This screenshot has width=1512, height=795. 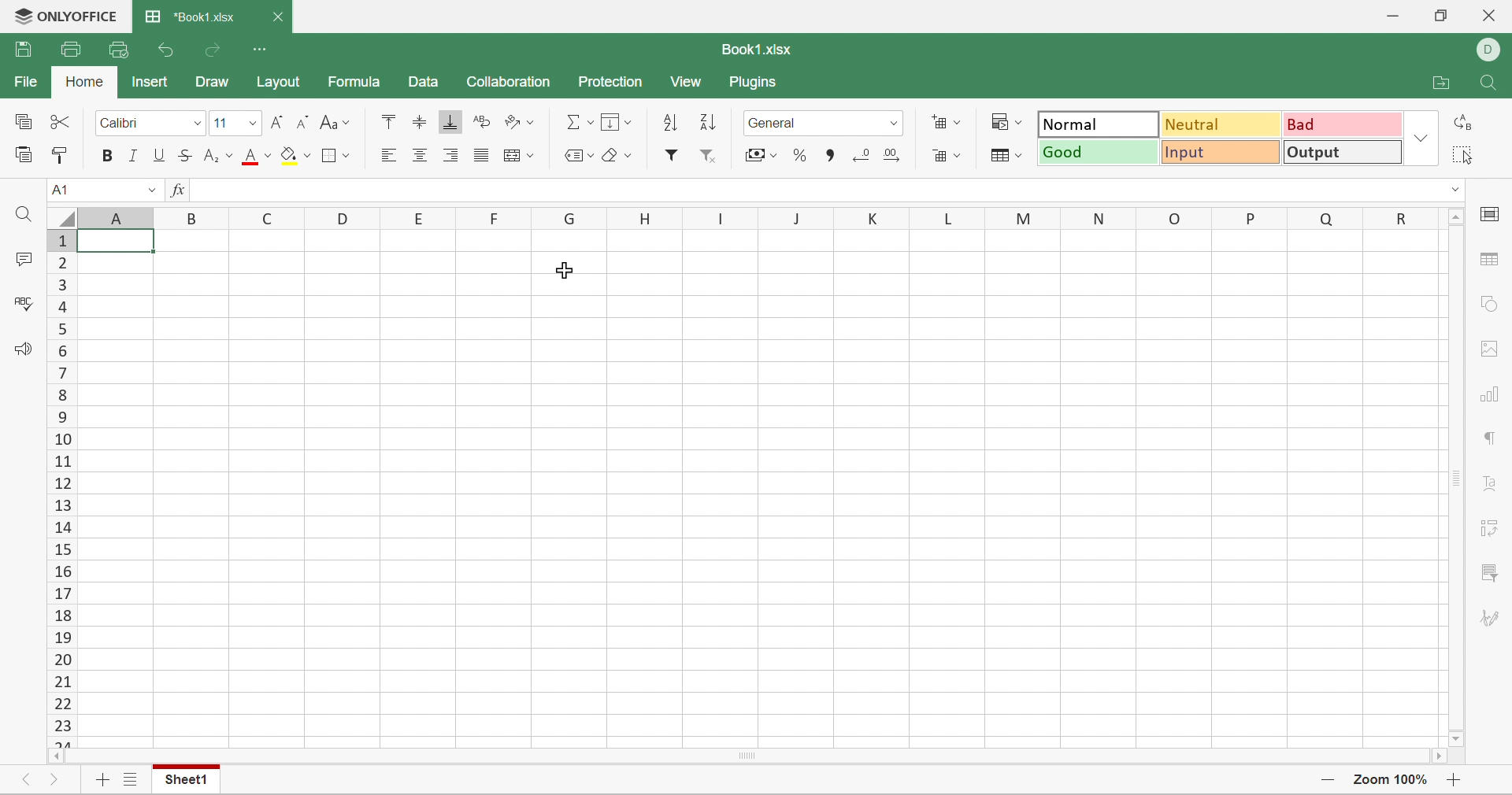 What do you see at coordinates (23, 154) in the screenshot?
I see `Paste` at bounding box center [23, 154].